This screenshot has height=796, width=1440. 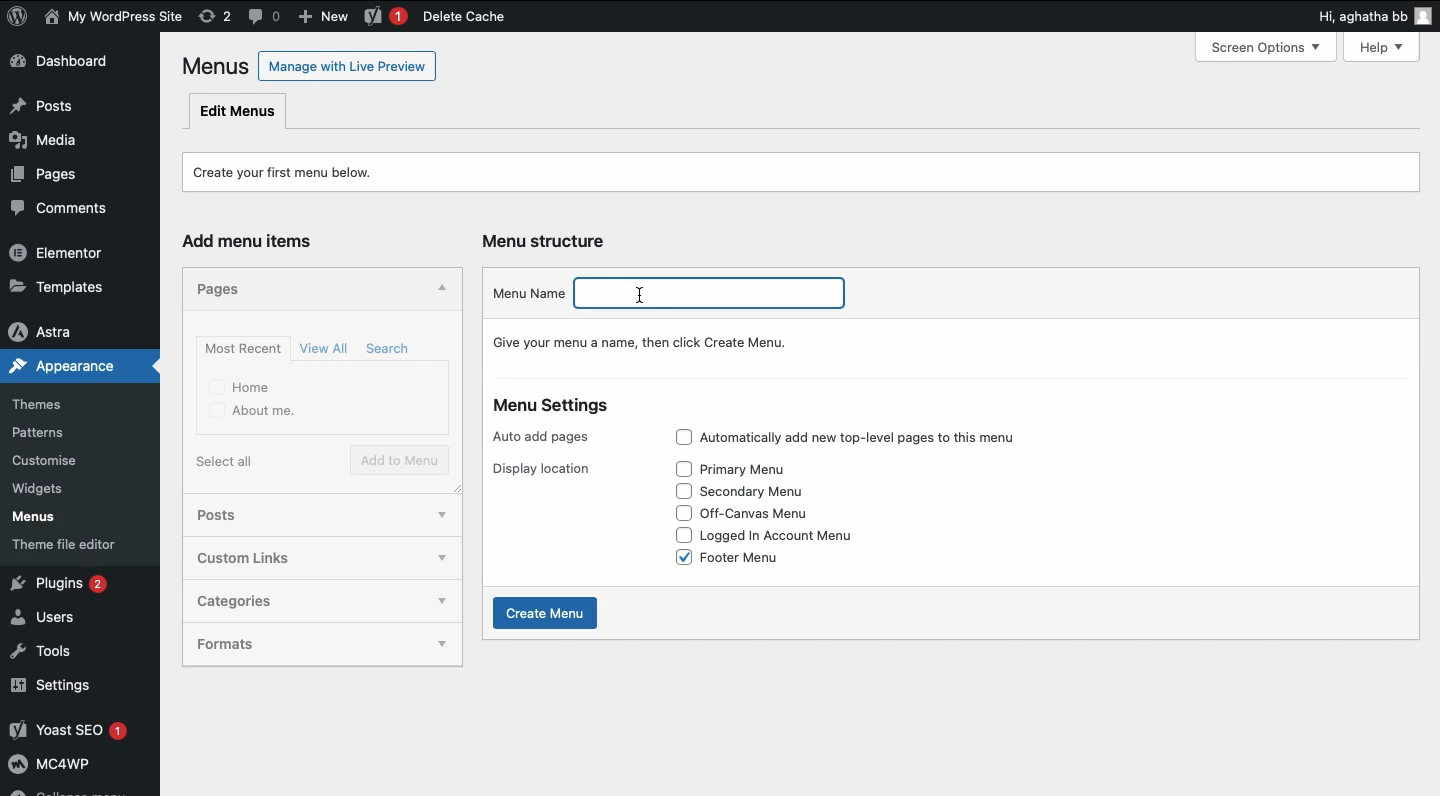 What do you see at coordinates (677, 469) in the screenshot?
I see `Check box` at bounding box center [677, 469].